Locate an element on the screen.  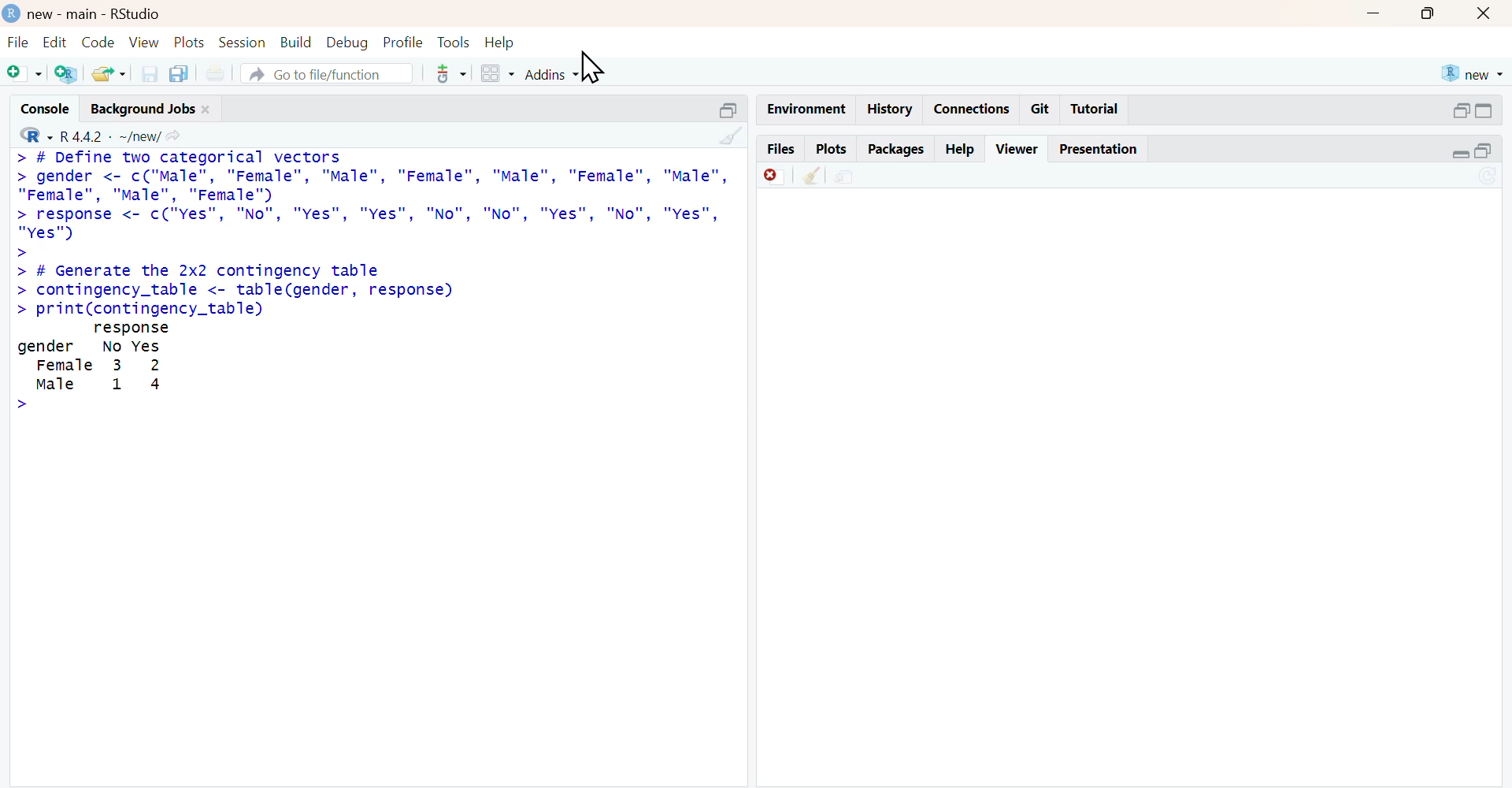
Sync is located at coordinates (1488, 175).